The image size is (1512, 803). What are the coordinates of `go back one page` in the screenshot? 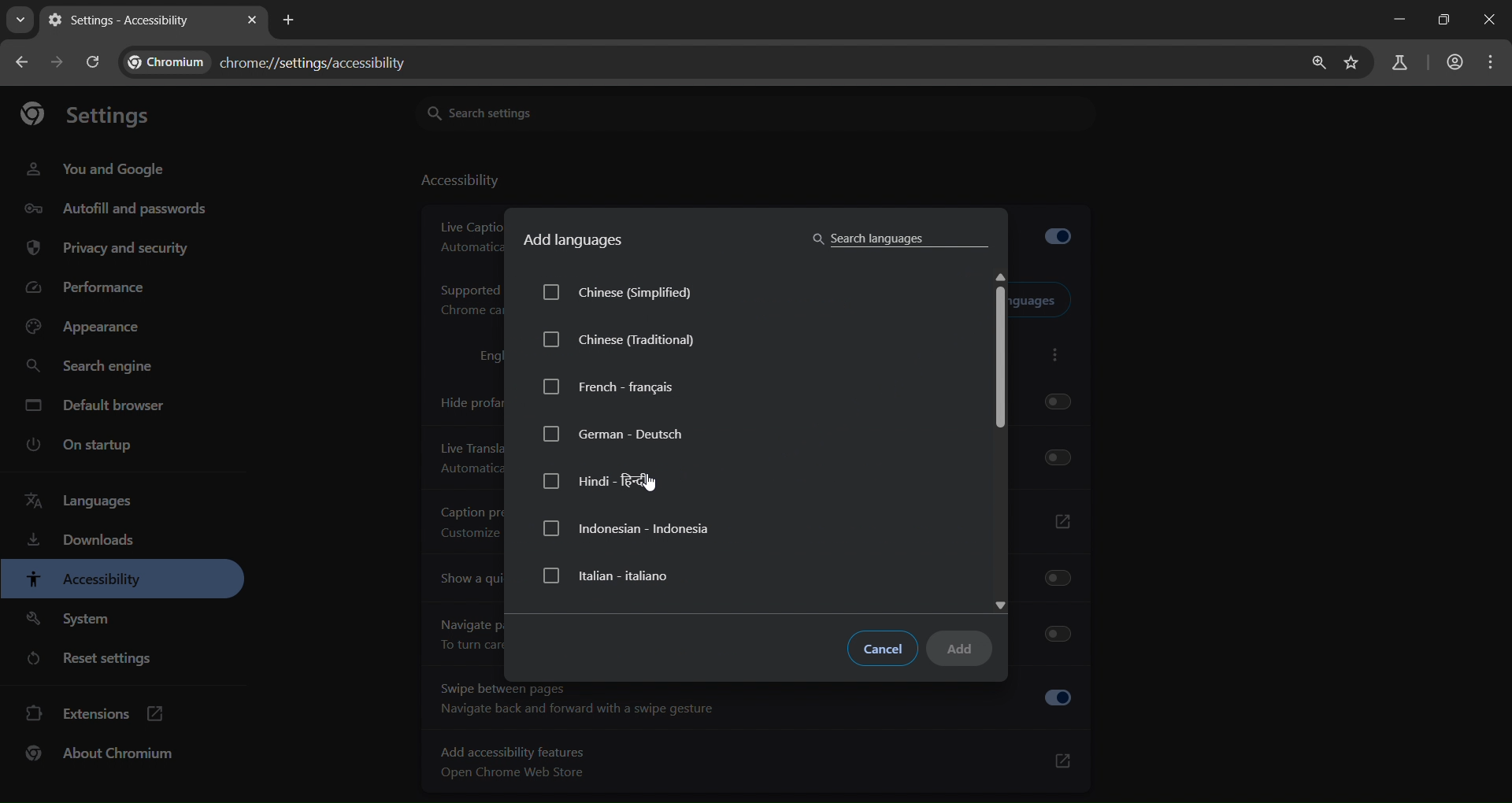 It's located at (24, 61).